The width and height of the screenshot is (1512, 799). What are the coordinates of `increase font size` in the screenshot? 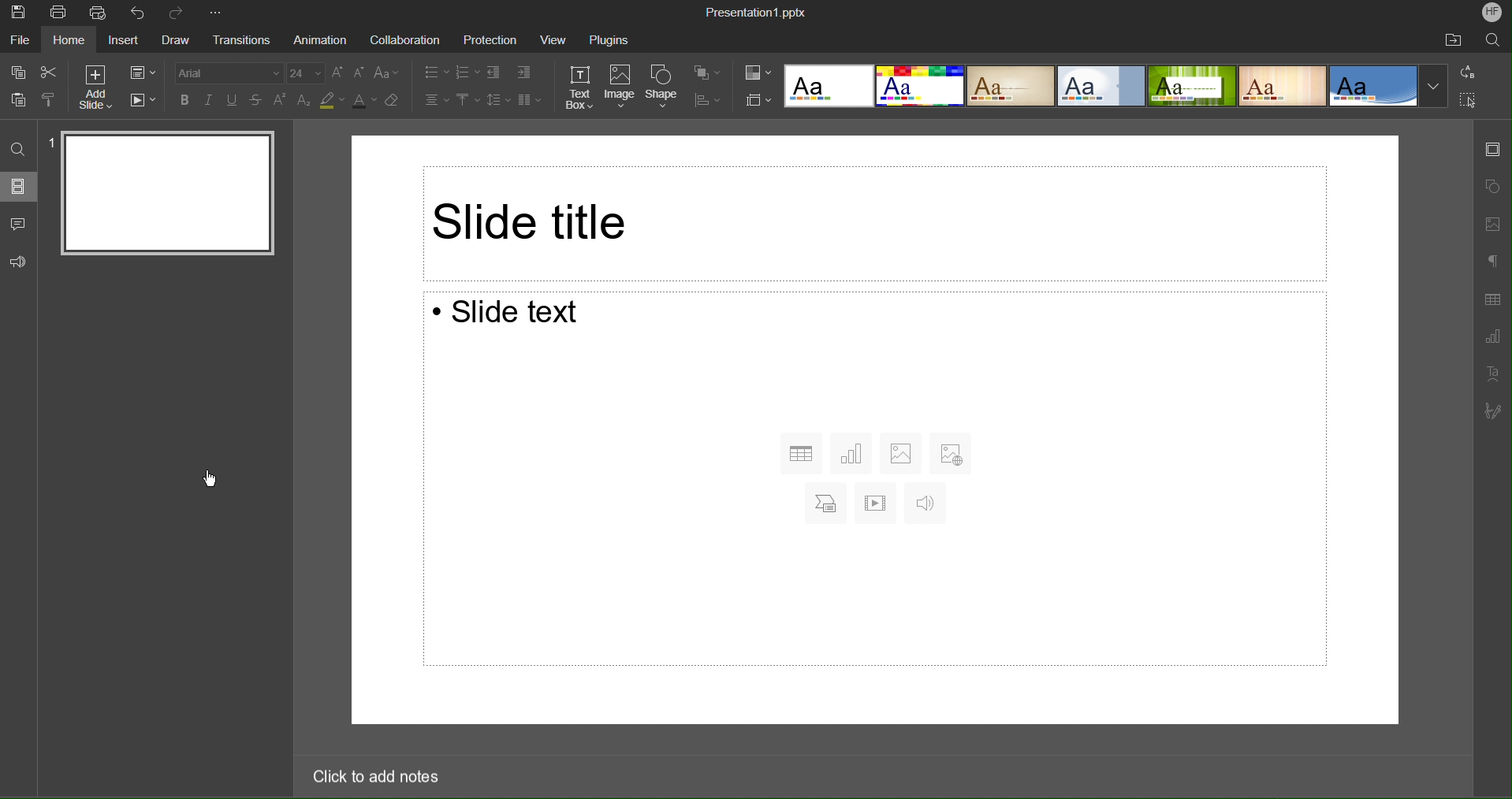 It's located at (336, 72).